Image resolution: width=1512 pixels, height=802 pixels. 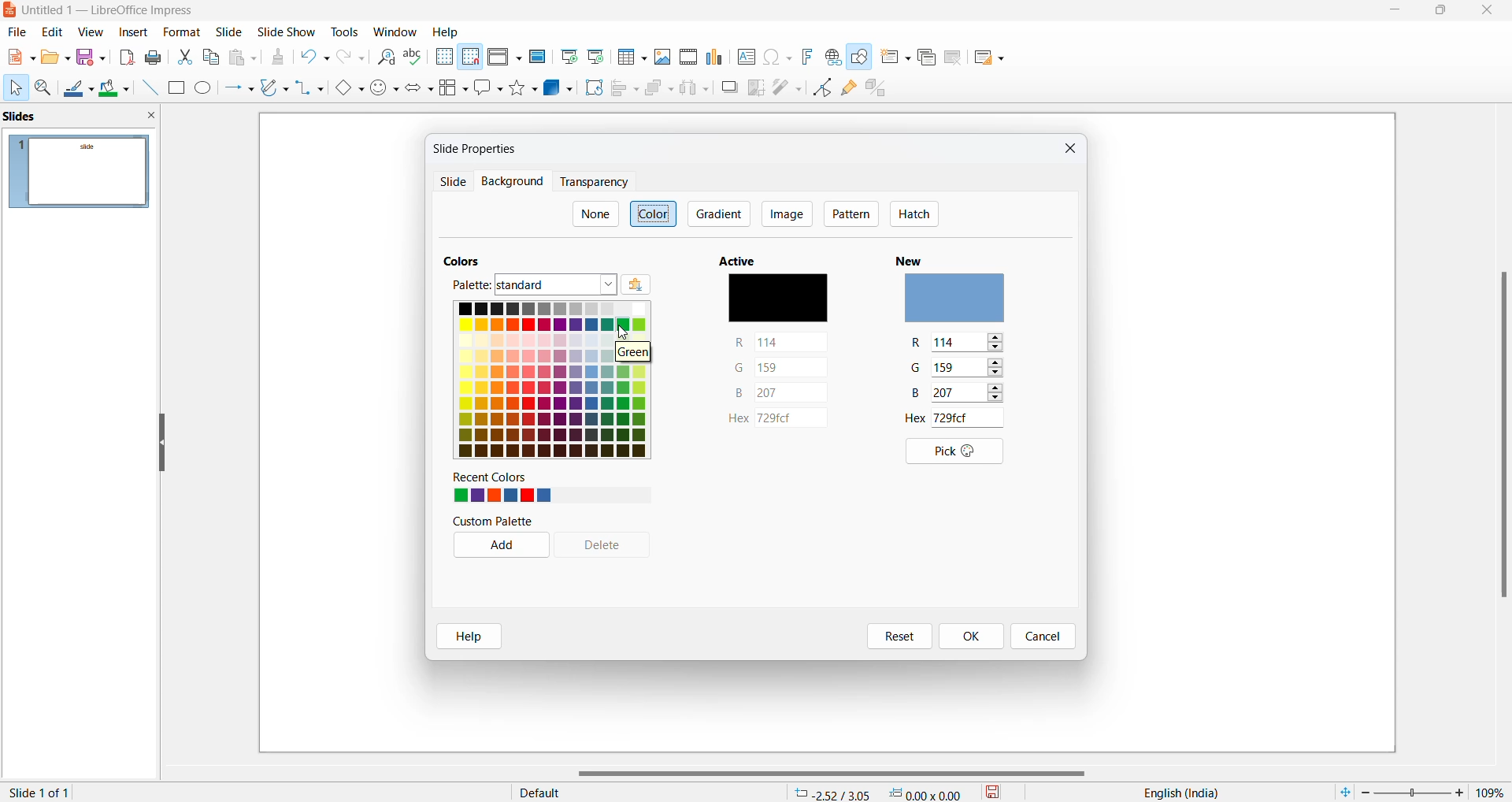 What do you see at coordinates (157, 57) in the screenshot?
I see `print` at bounding box center [157, 57].